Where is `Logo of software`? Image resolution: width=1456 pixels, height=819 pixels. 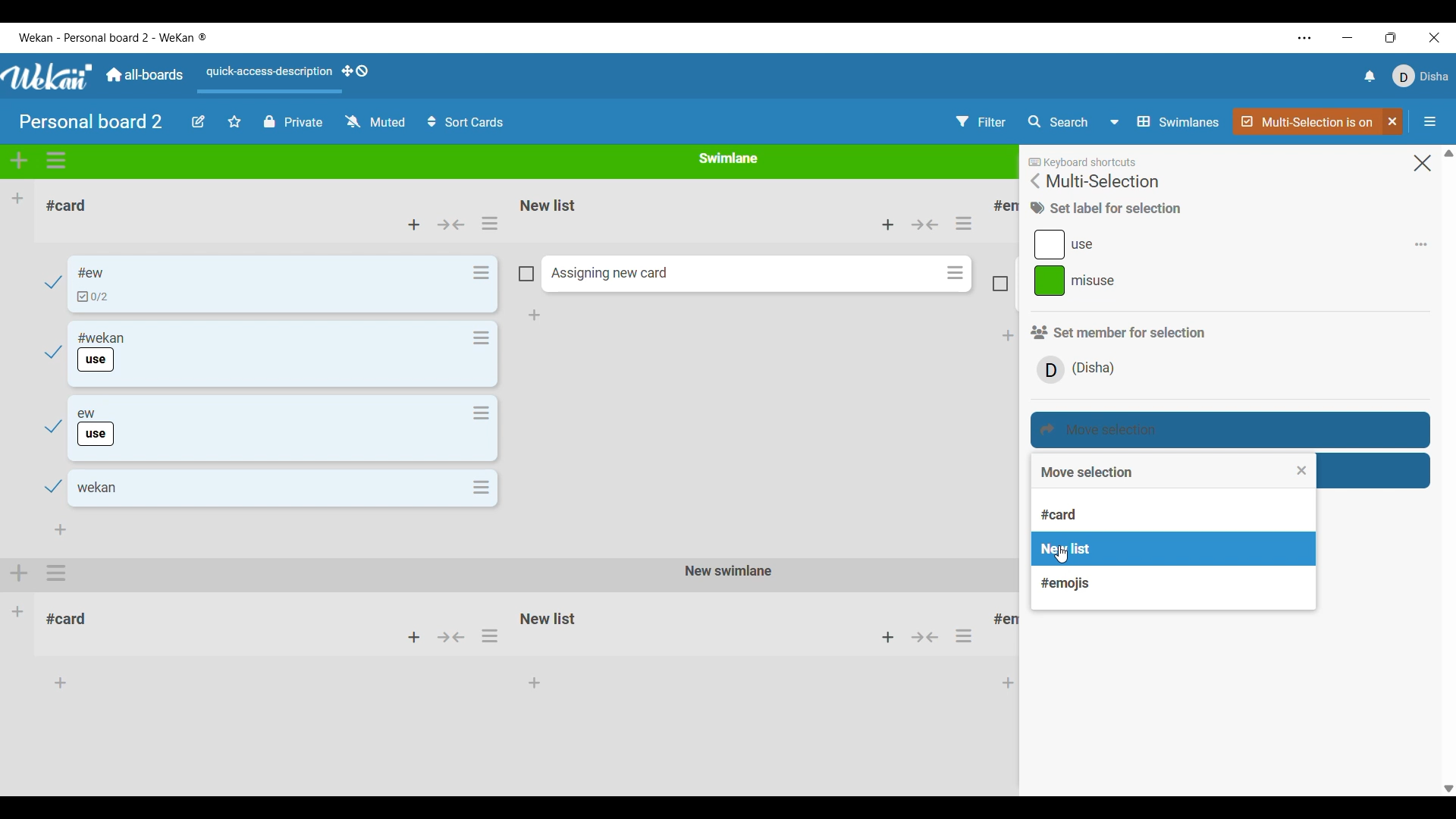 Logo of software is located at coordinates (48, 77).